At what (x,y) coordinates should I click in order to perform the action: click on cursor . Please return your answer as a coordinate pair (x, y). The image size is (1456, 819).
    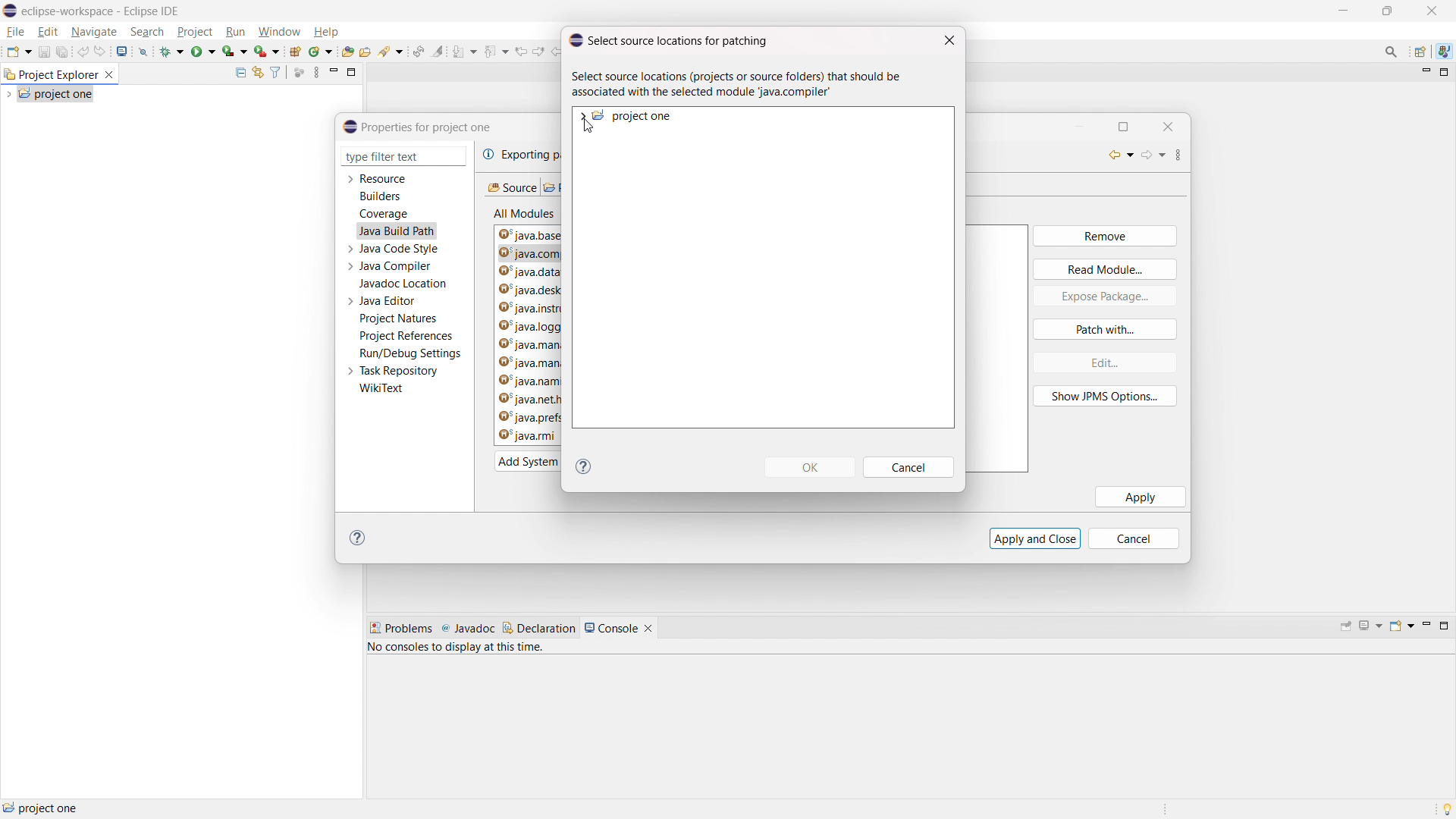
    Looking at the image, I should click on (590, 129).